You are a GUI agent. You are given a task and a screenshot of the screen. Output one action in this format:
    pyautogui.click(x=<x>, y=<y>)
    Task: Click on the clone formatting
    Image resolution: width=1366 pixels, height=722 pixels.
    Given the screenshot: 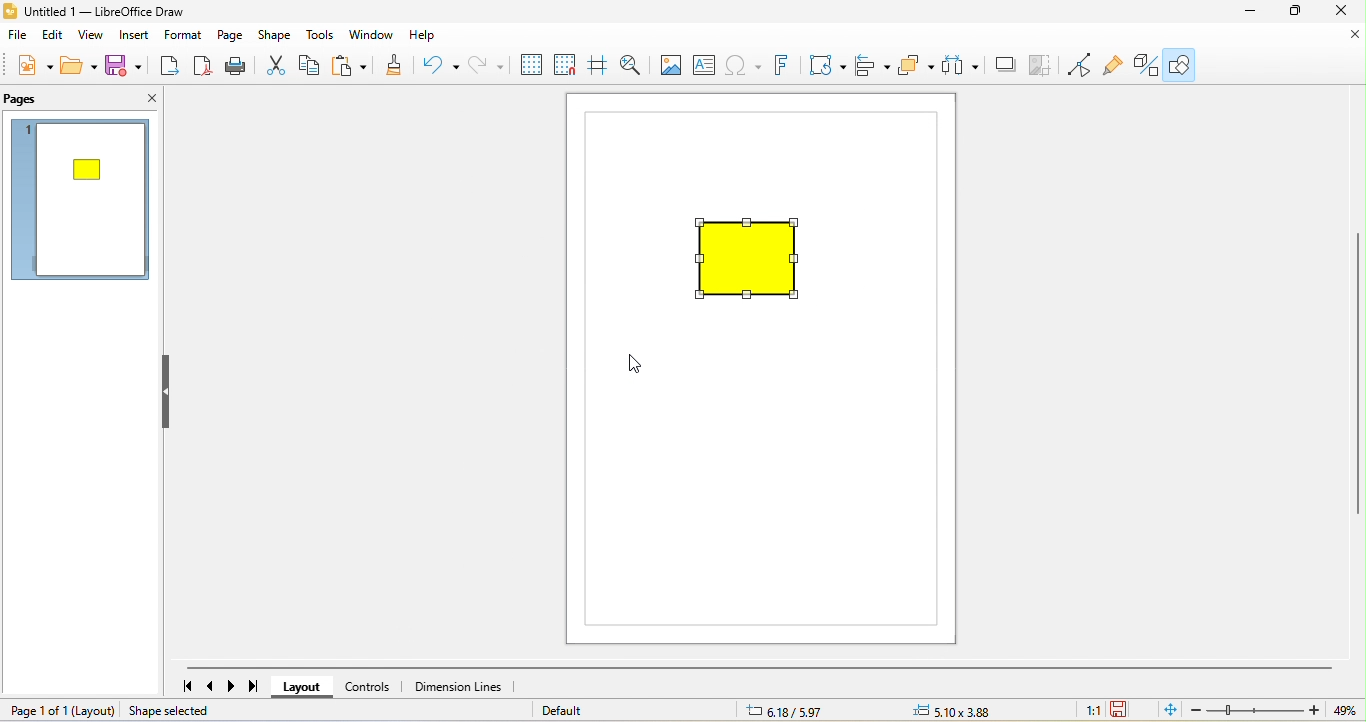 What is the action you would take?
    pyautogui.click(x=393, y=68)
    